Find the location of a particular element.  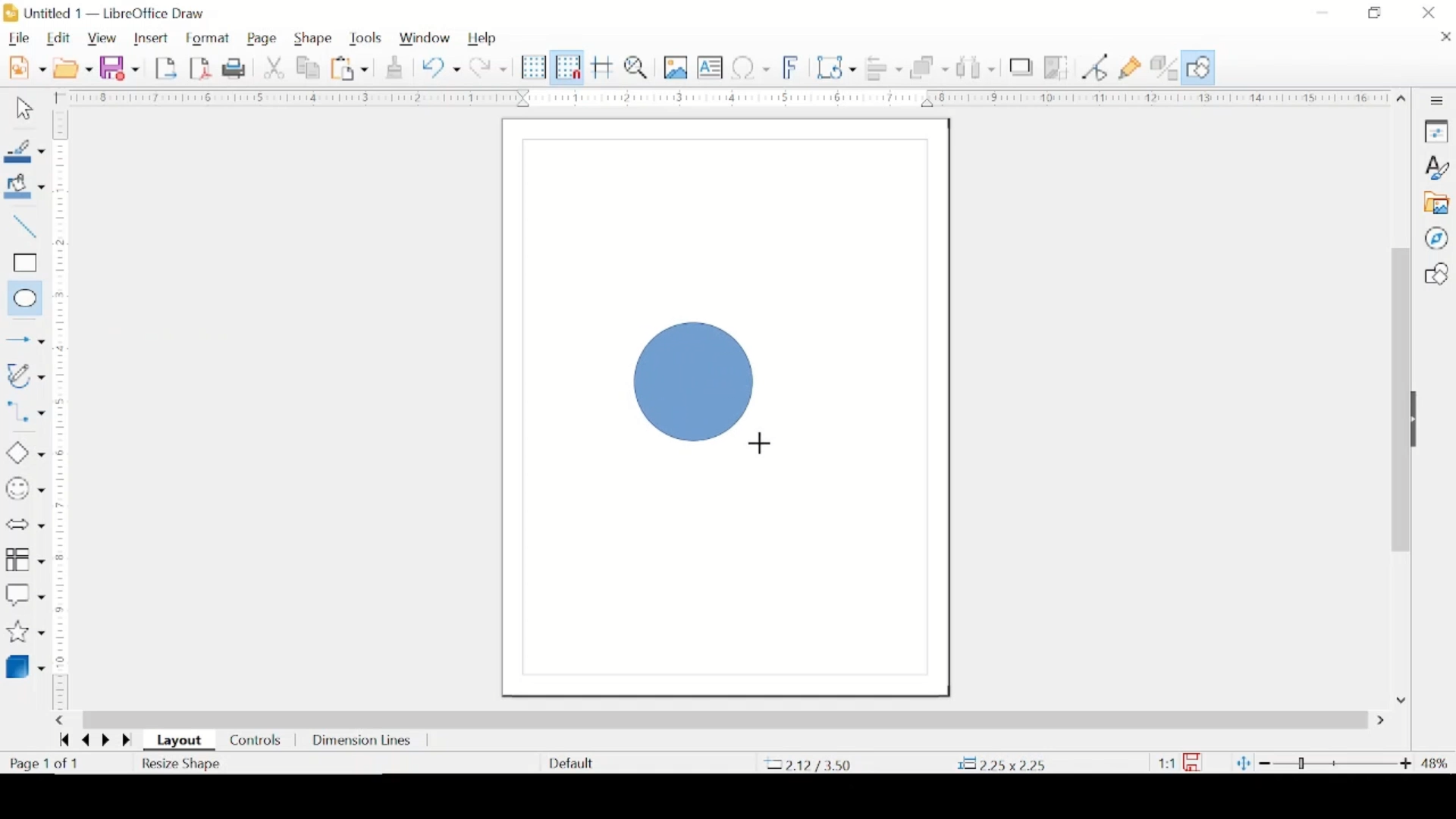

insert fontwork text is located at coordinates (792, 67).